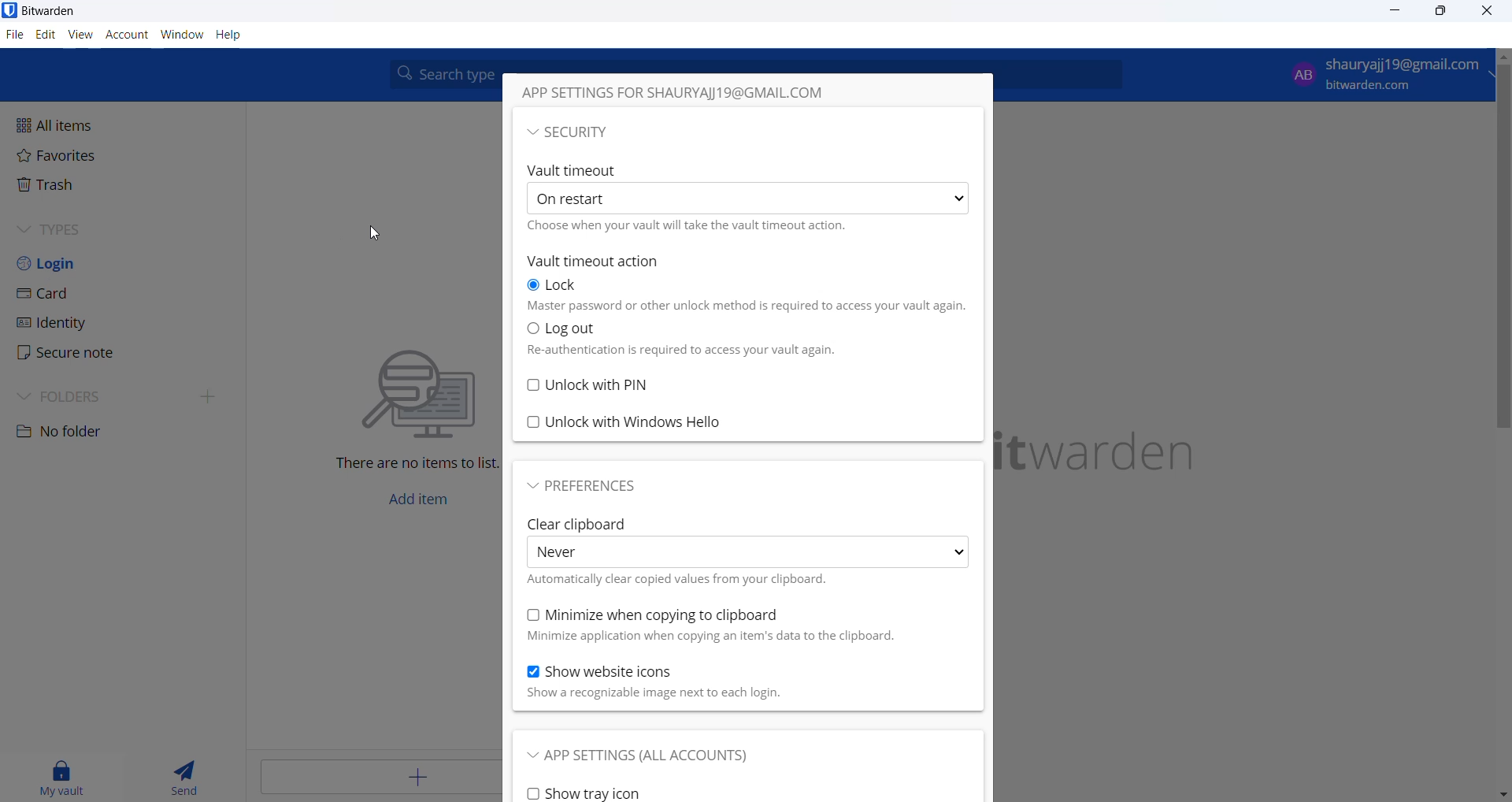  Describe the element at coordinates (124, 354) in the screenshot. I see `secure note` at that location.